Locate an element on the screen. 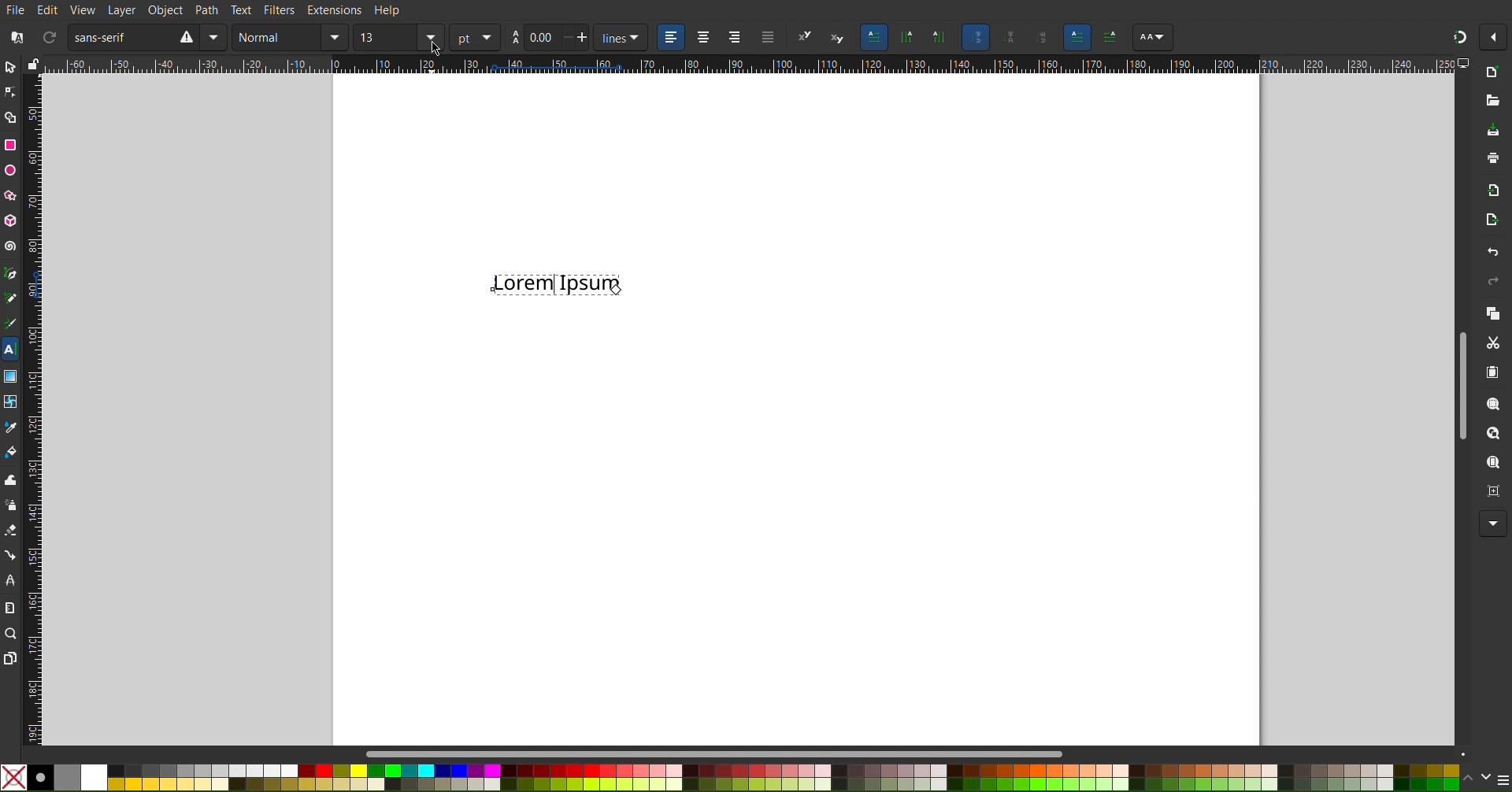 Image resolution: width=1512 pixels, height=792 pixels. More Options is located at coordinates (1493, 524).